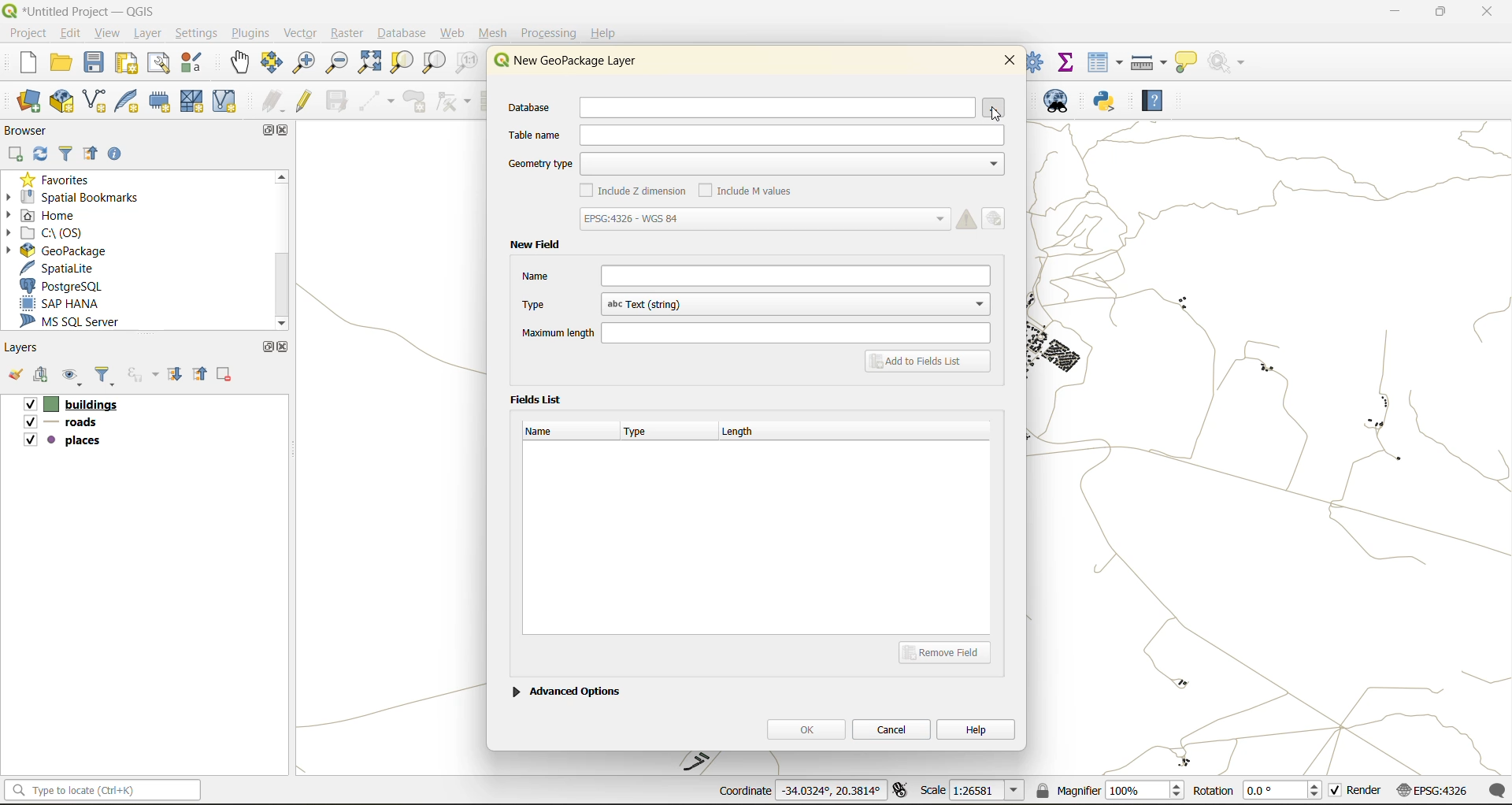 The height and width of the screenshot is (805, 1512). I want to click on table name, so click(760, 135).